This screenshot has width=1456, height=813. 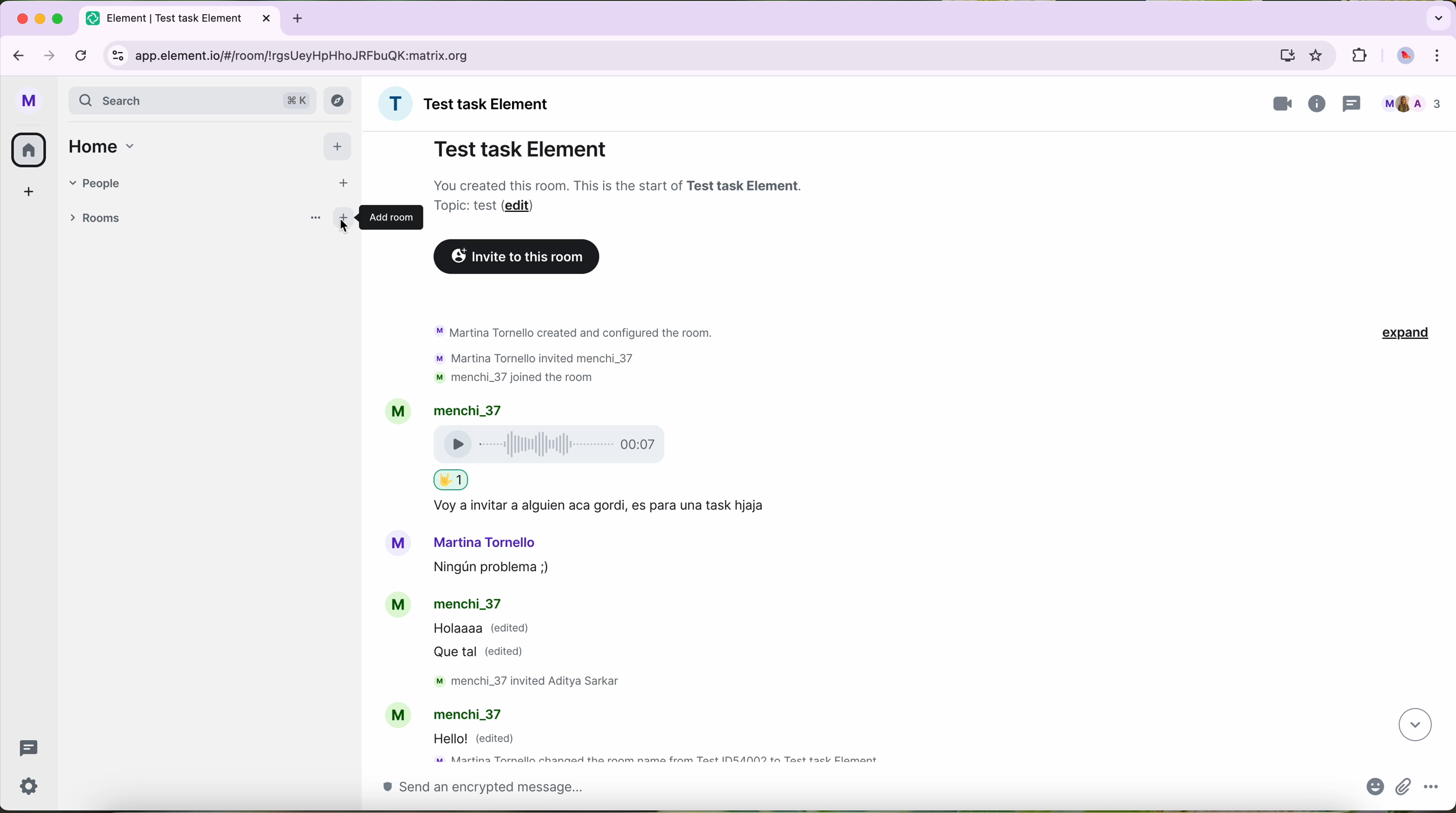 I want to click on videocall, so click(x=1283, y=104).